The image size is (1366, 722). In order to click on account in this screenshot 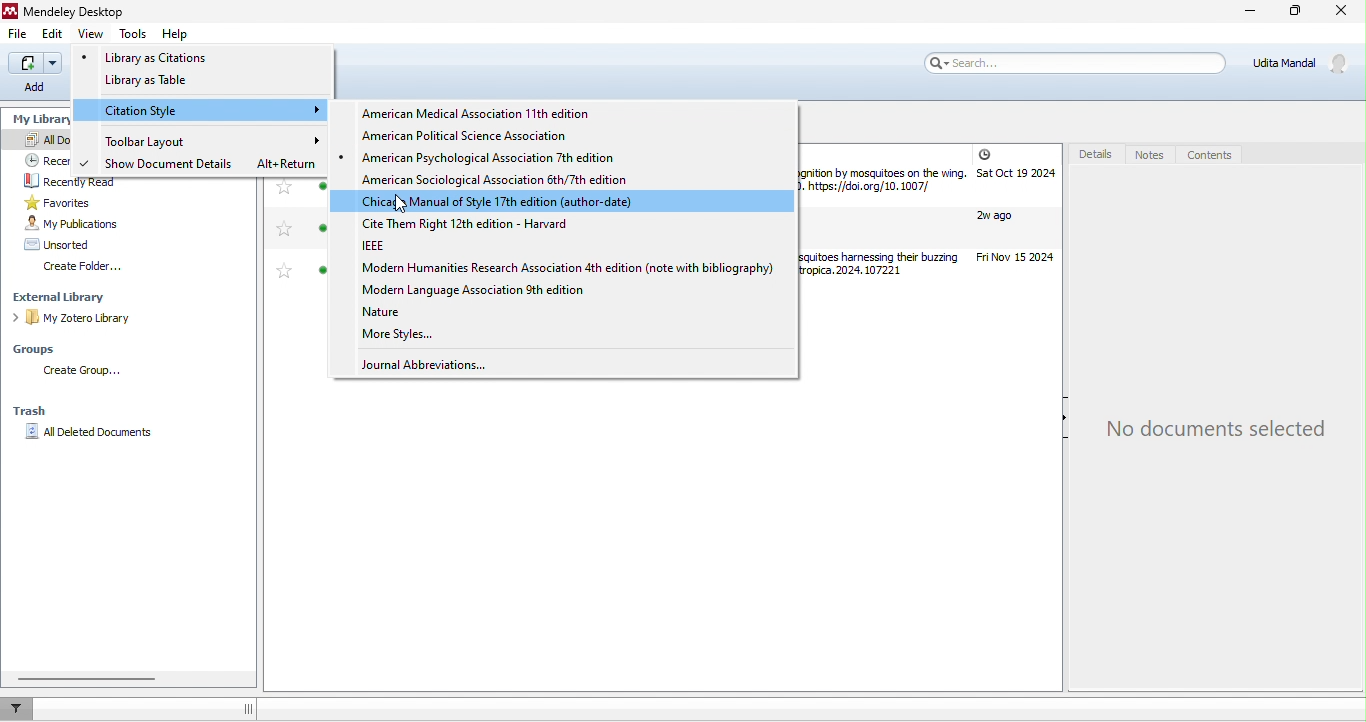, I will do `click(1303, 64)`.